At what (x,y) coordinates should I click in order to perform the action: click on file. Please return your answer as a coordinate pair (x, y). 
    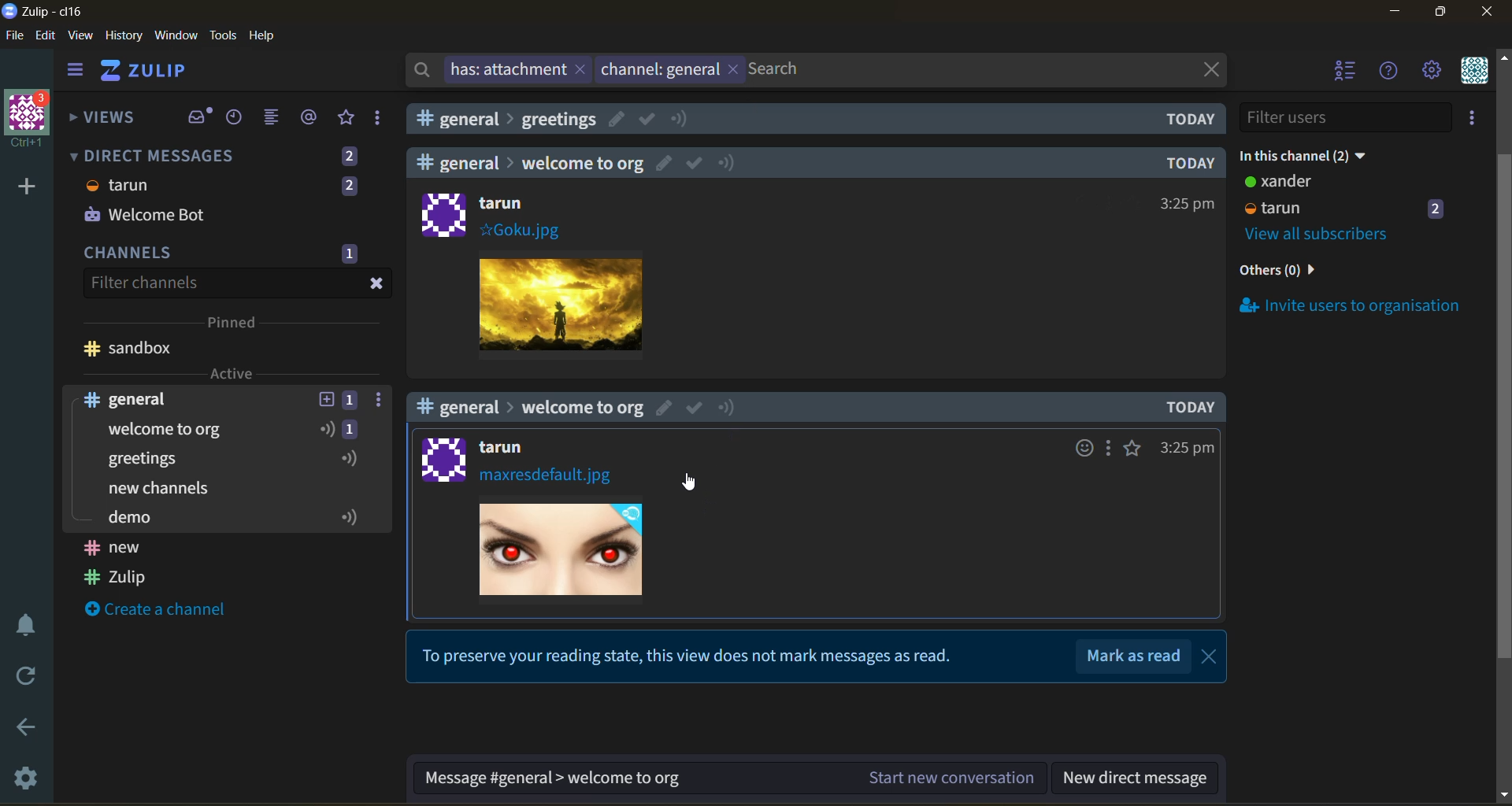
    Looking at the image, I should click on (15, 36).